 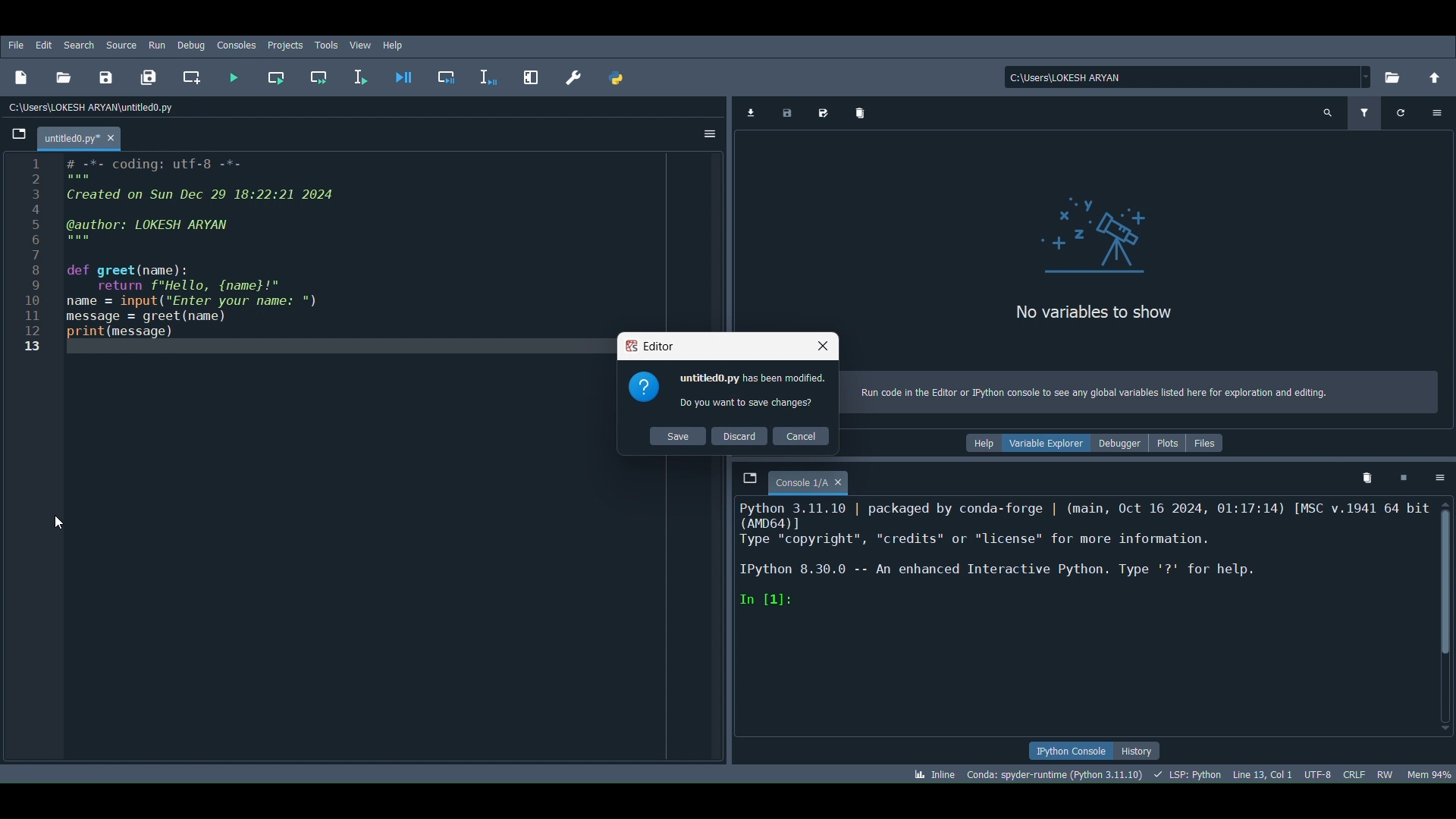 I want to click on PYTHONPATH manager, so click(x=615, y=77).